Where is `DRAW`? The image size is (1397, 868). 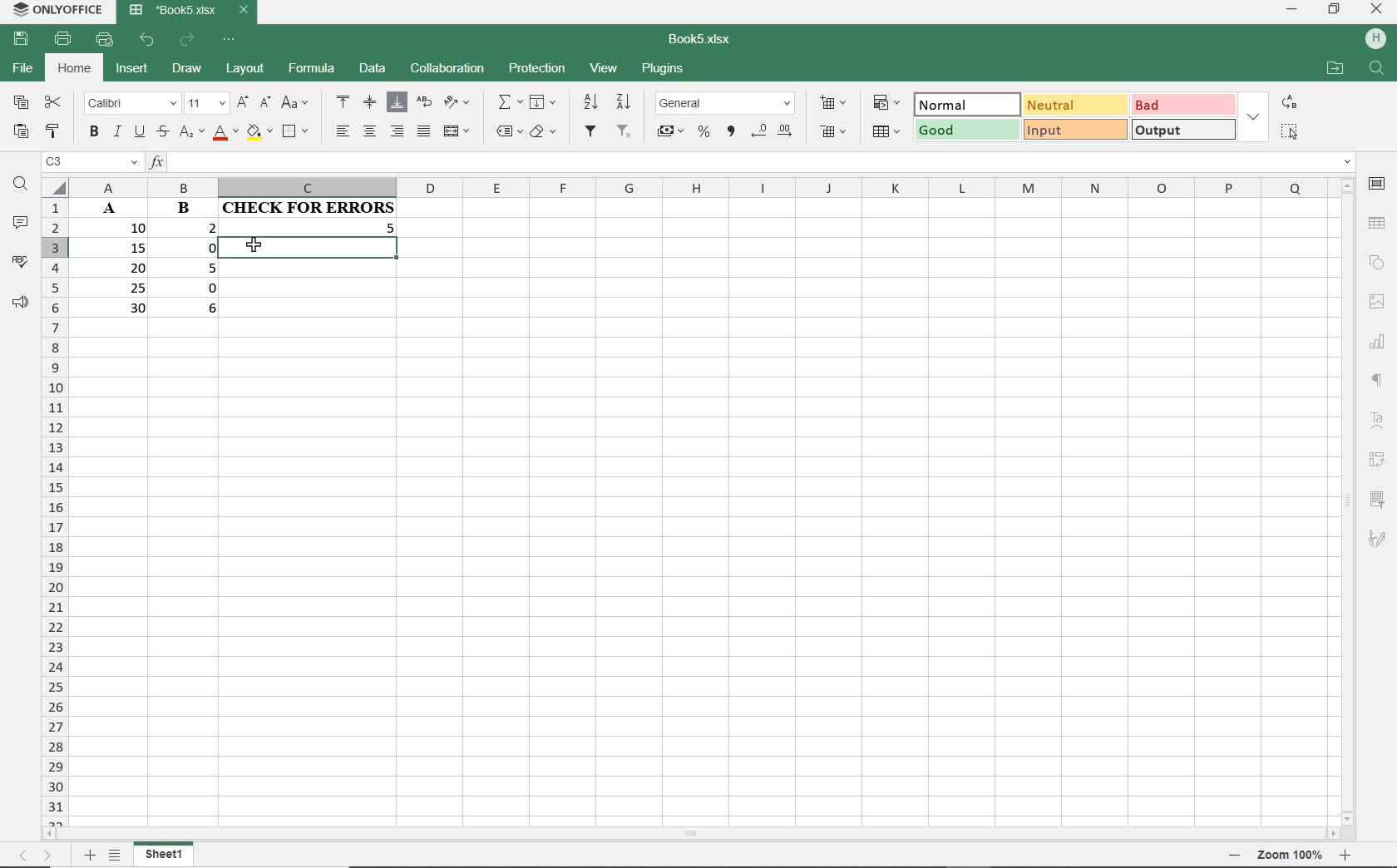
DRAW is located at coordinates (188, 71).